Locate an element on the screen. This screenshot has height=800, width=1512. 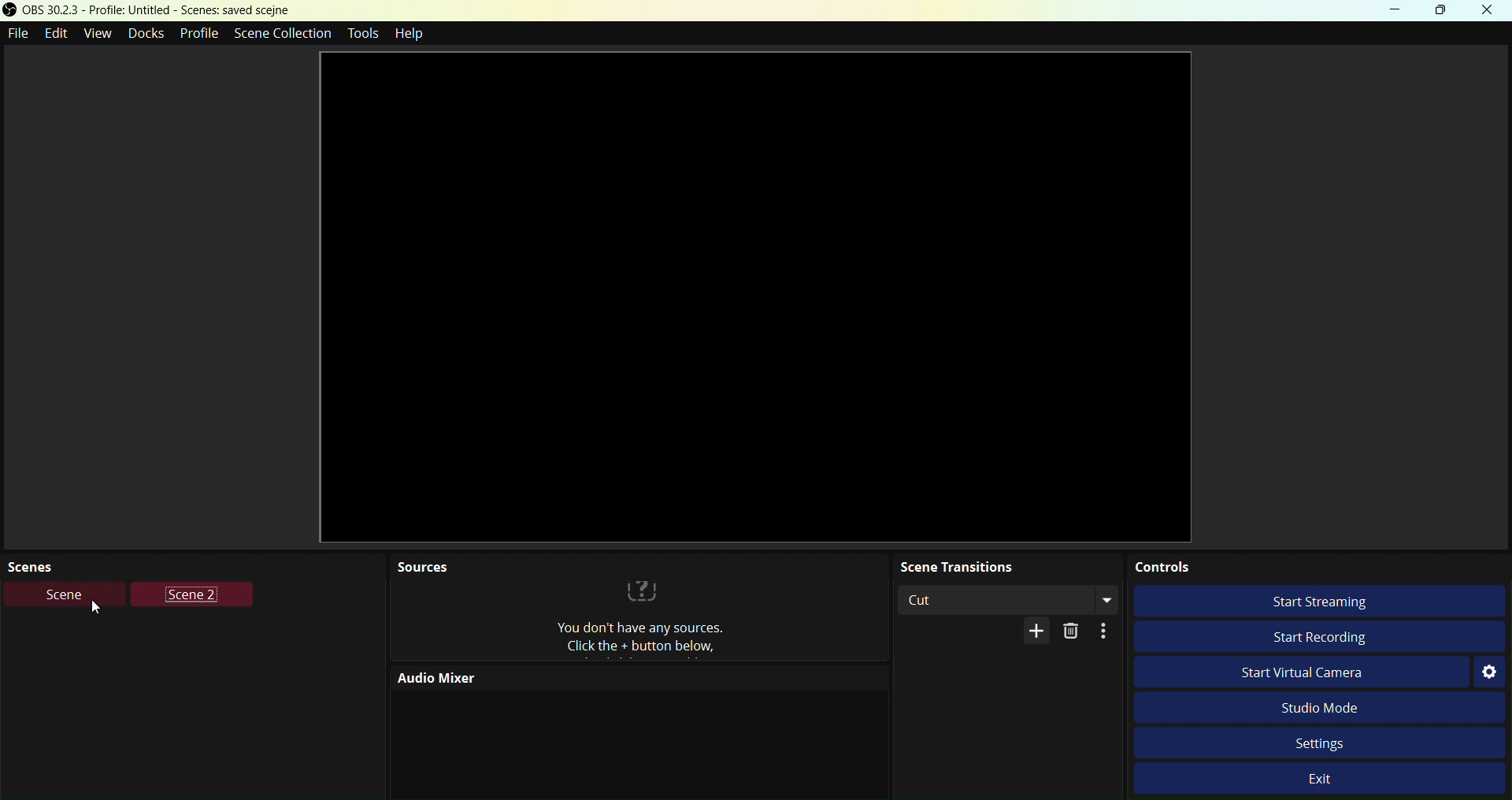
Help is located at coordinates (413, 32).